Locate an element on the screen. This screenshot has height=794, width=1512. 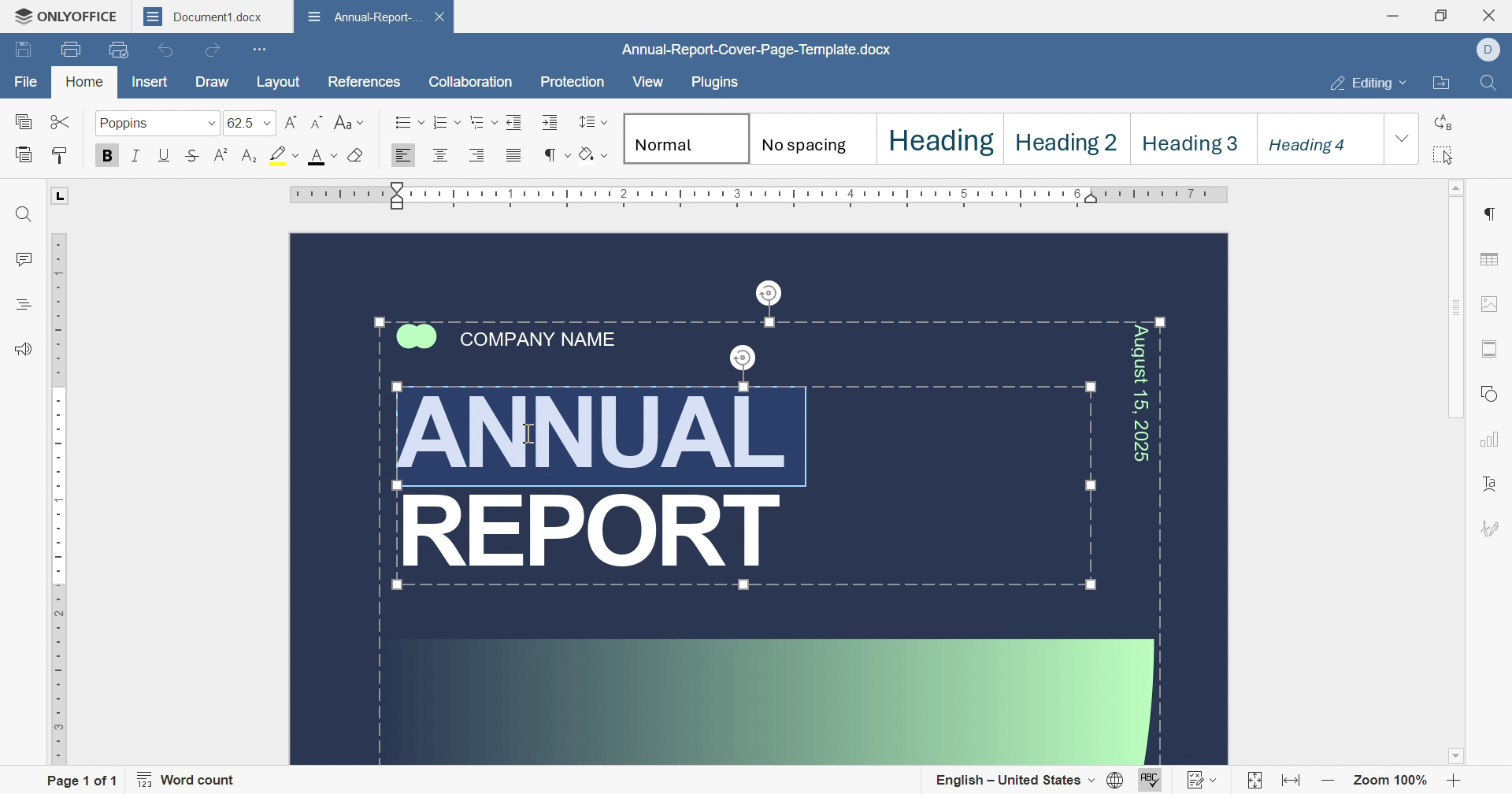
word count is located at coordinates (191, 780).